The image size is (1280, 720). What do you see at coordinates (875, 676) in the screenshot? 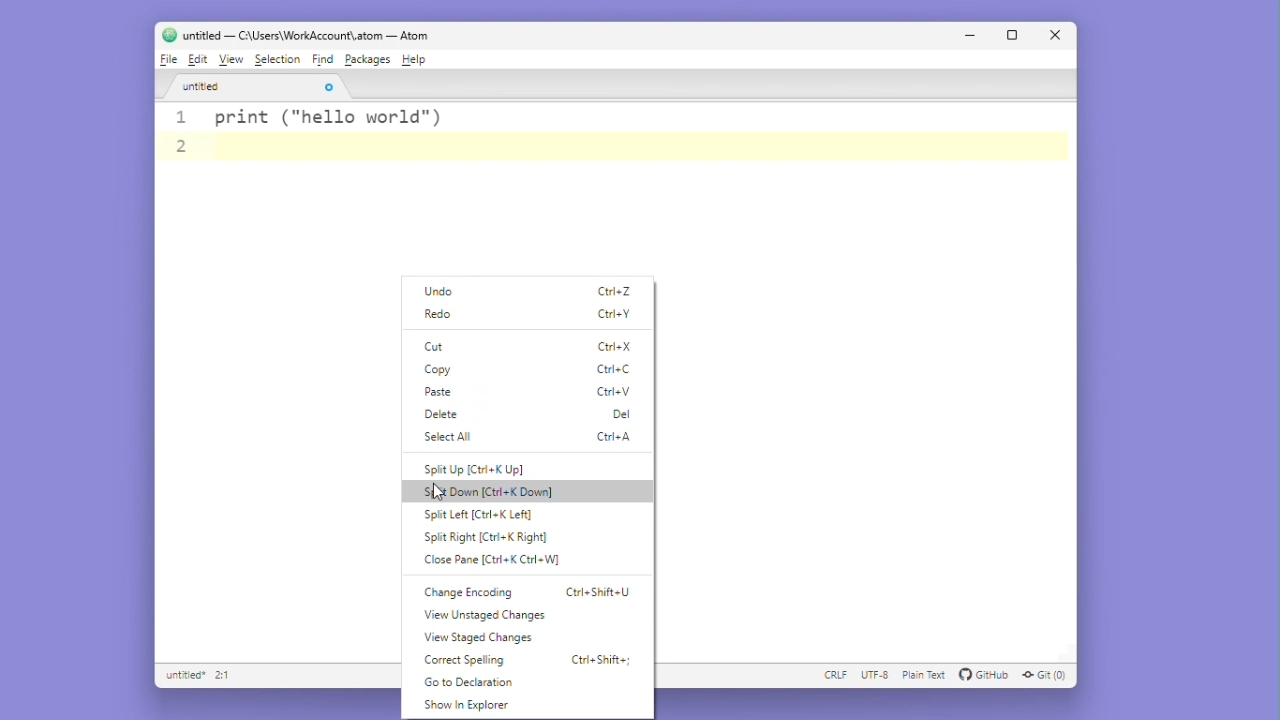
I see `UTF - 8` at bounding box center [875, 676].